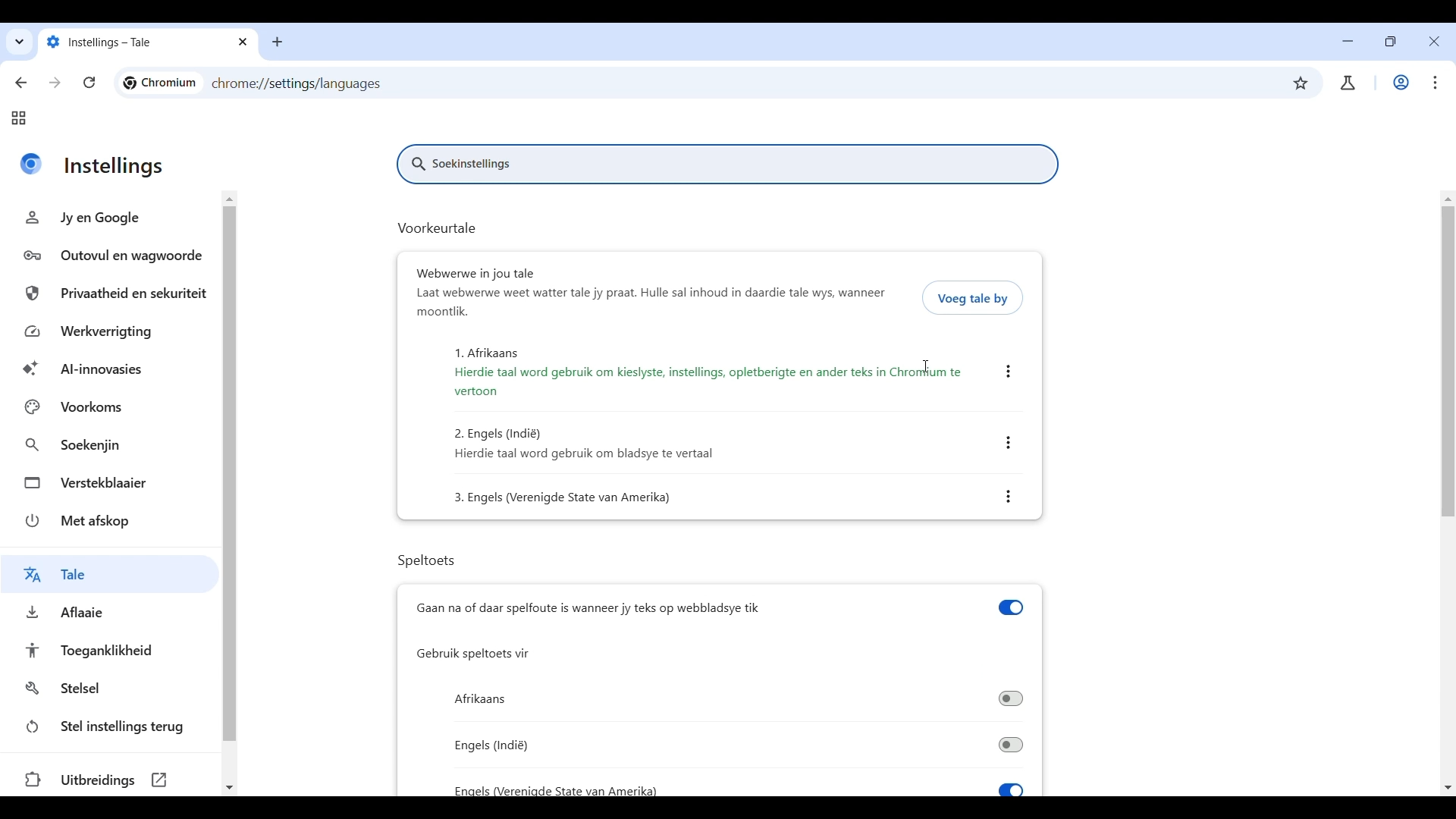  Describe the element at coordinates (1004, 498) in the screenshot. I see `more actions` at that location.